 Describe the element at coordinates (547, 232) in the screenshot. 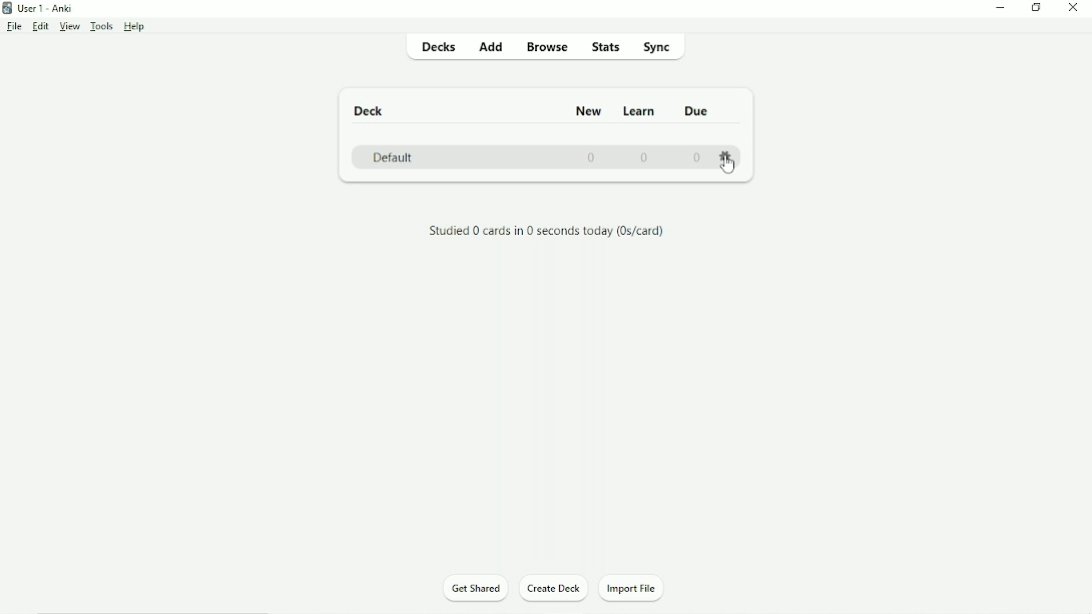

I see `Studied 0 cards in 0 seconds today.` at that location.